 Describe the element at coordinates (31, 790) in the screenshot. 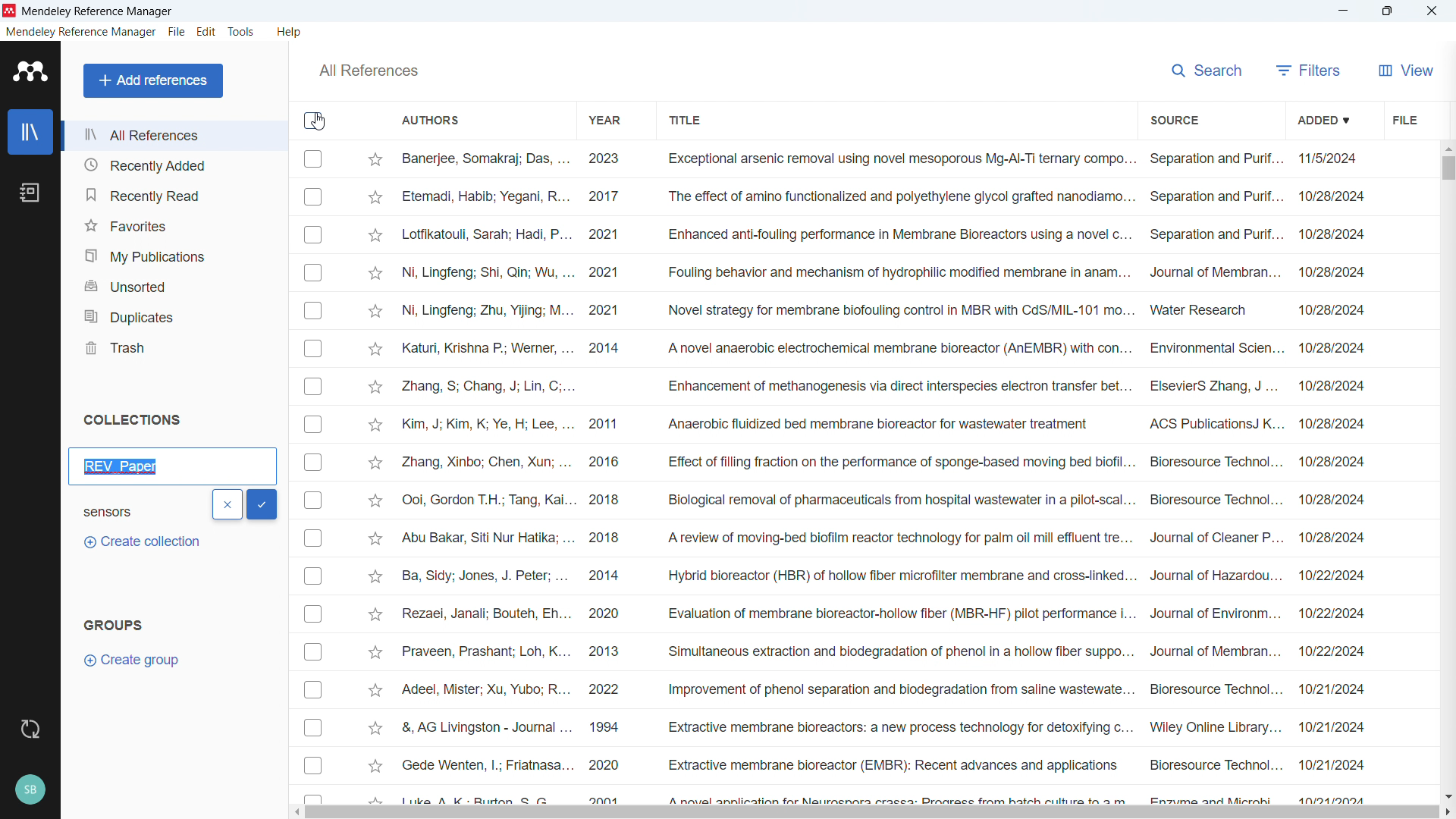

I see `Current Profile ` at that location.